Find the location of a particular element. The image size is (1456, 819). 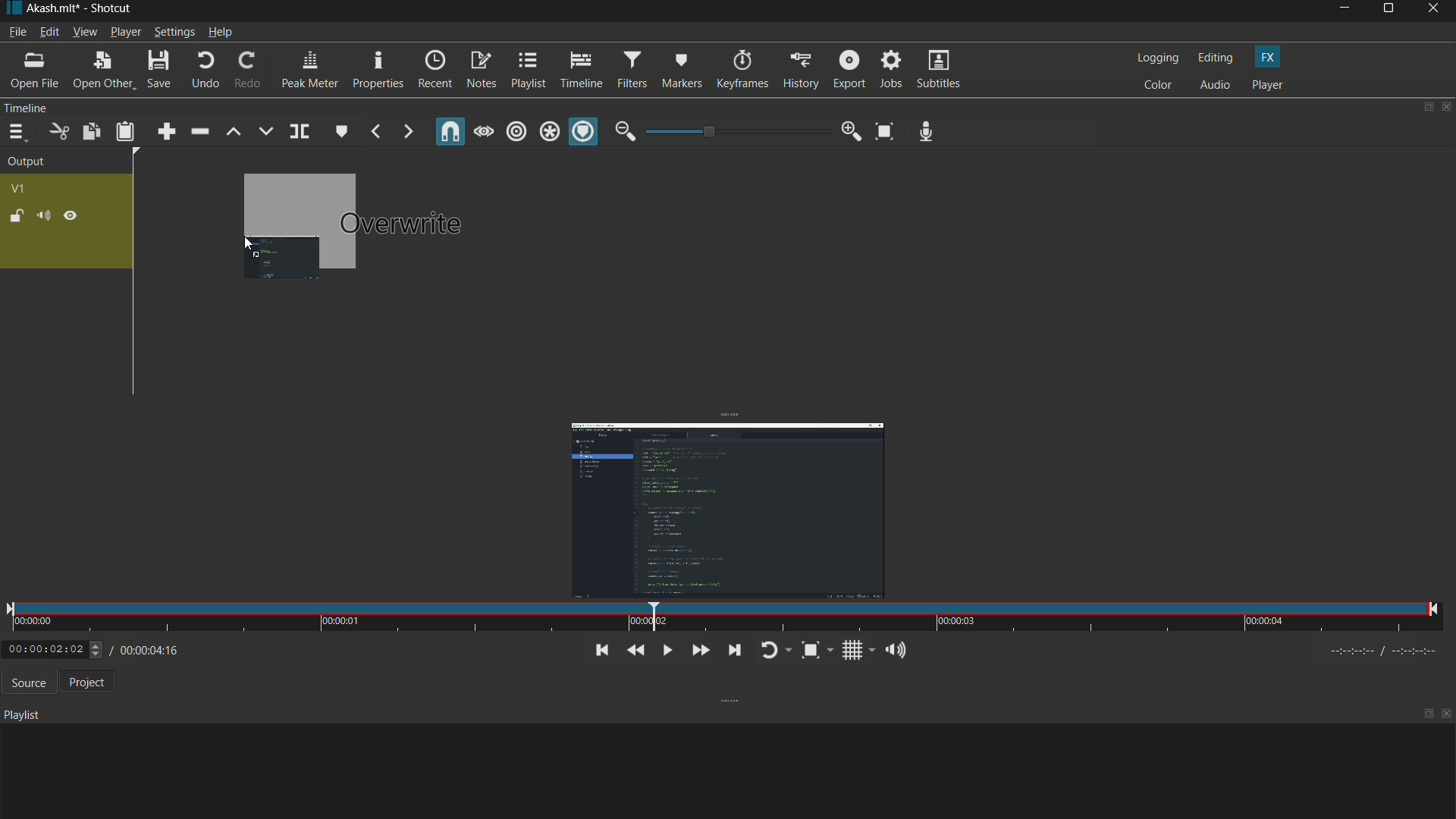

app icon is located at coordinates (11, 9).